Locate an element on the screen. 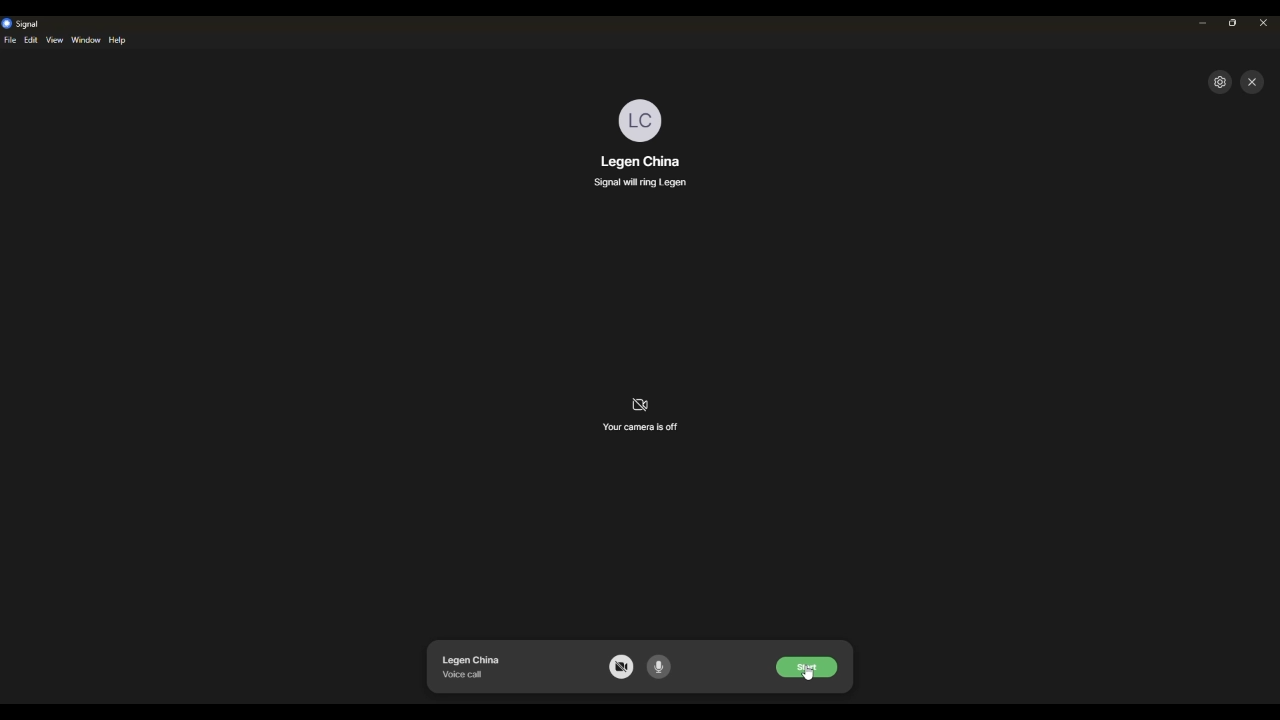 This screenshot has width=1280, height=720. close is located at coordinates (1263, 22).